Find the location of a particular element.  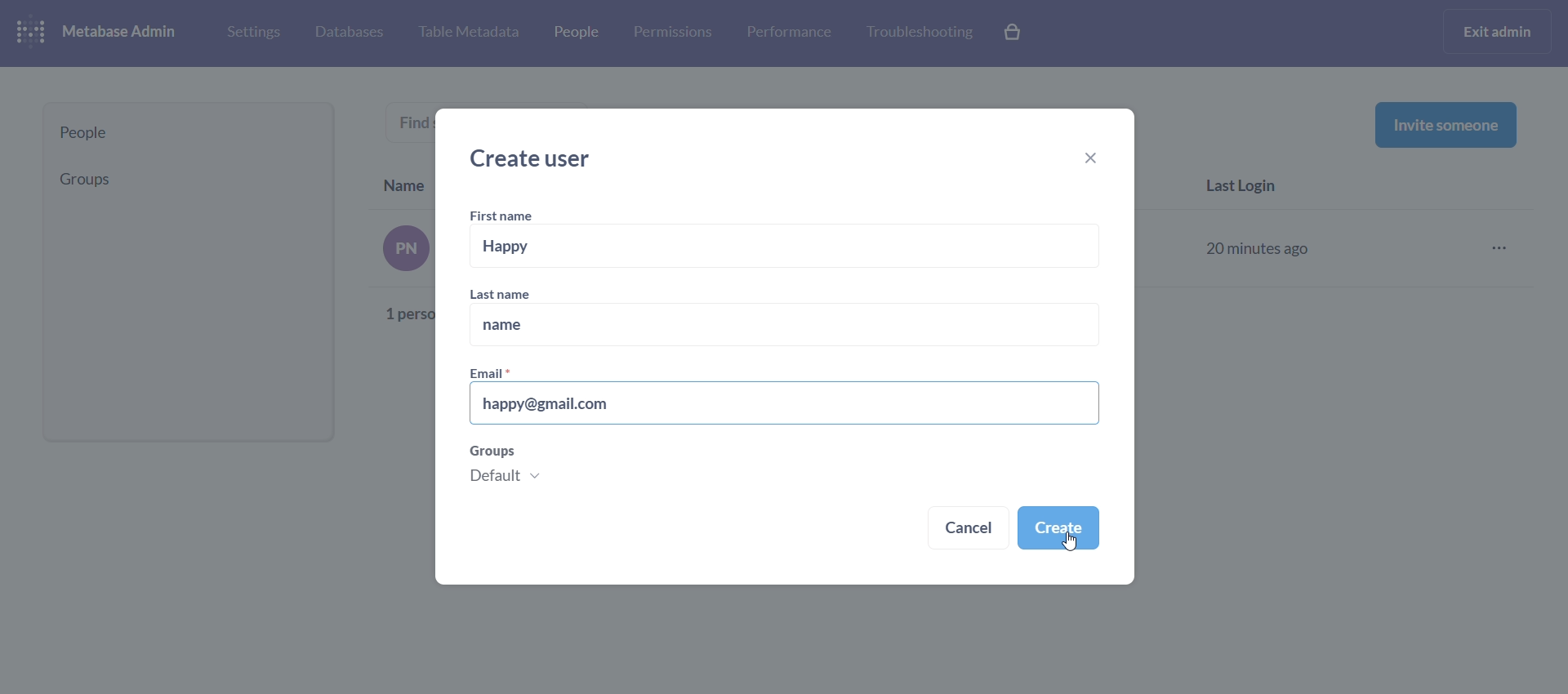

logo is located at coordinates (34, 33).